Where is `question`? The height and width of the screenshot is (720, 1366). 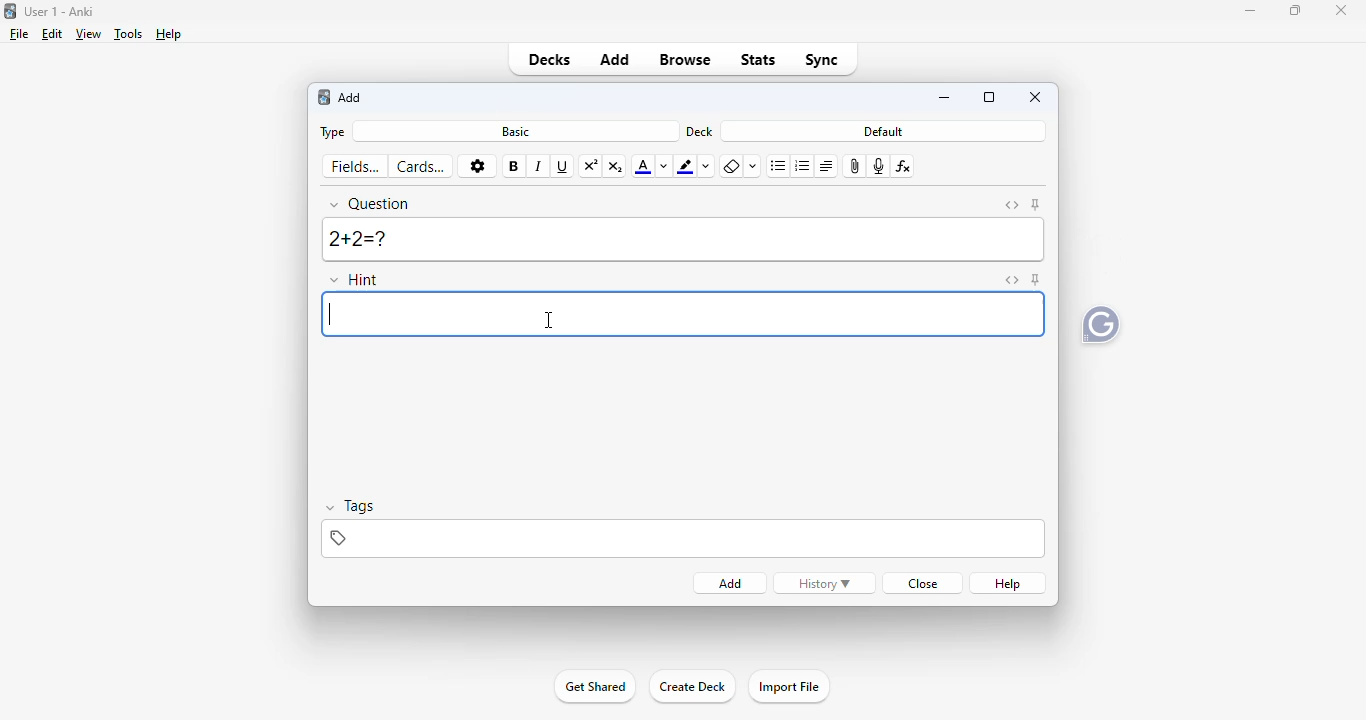
question is located at coordinates (370, 204).